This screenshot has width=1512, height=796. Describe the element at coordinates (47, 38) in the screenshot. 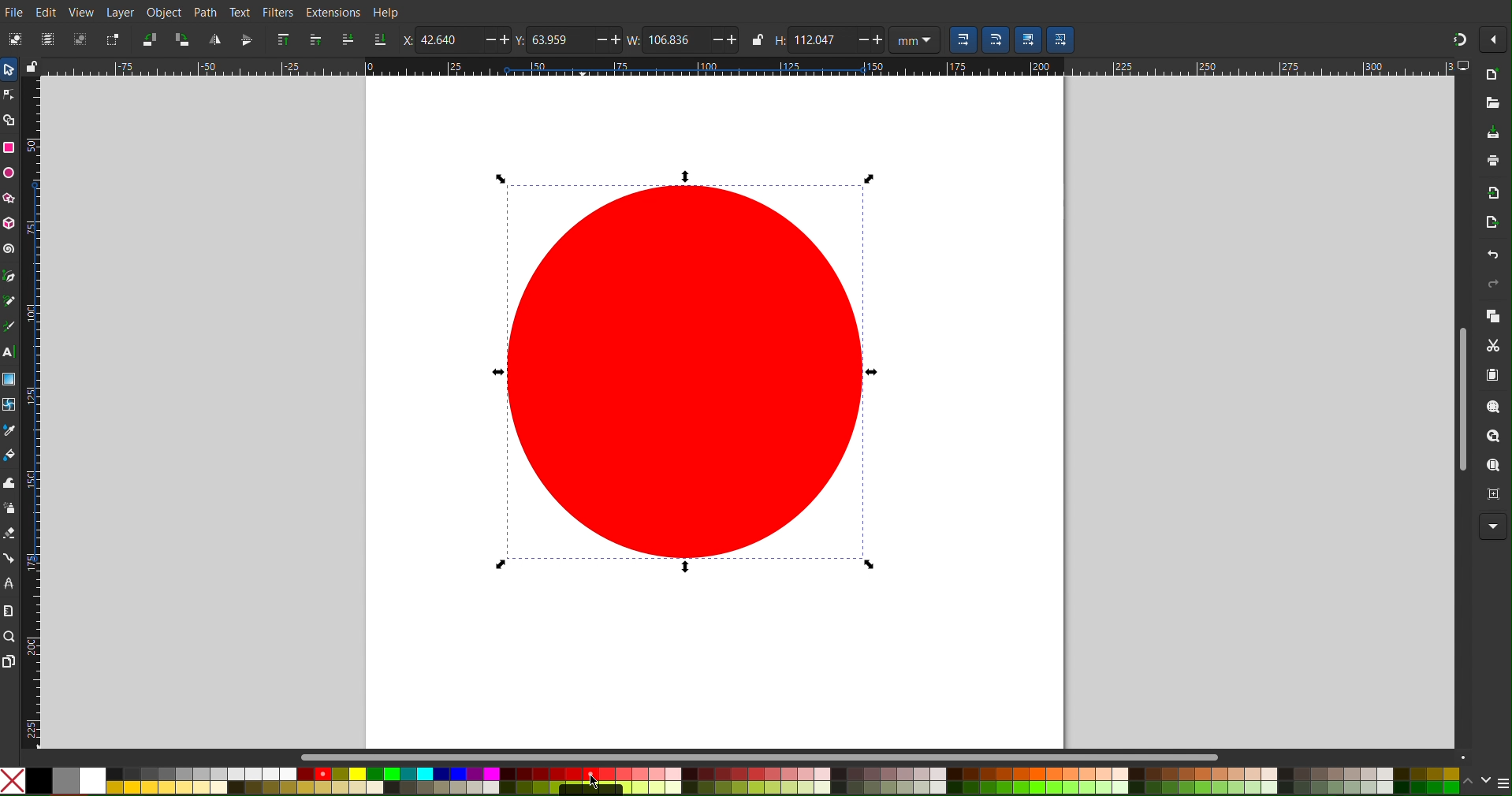

I see `Select All` at that location.